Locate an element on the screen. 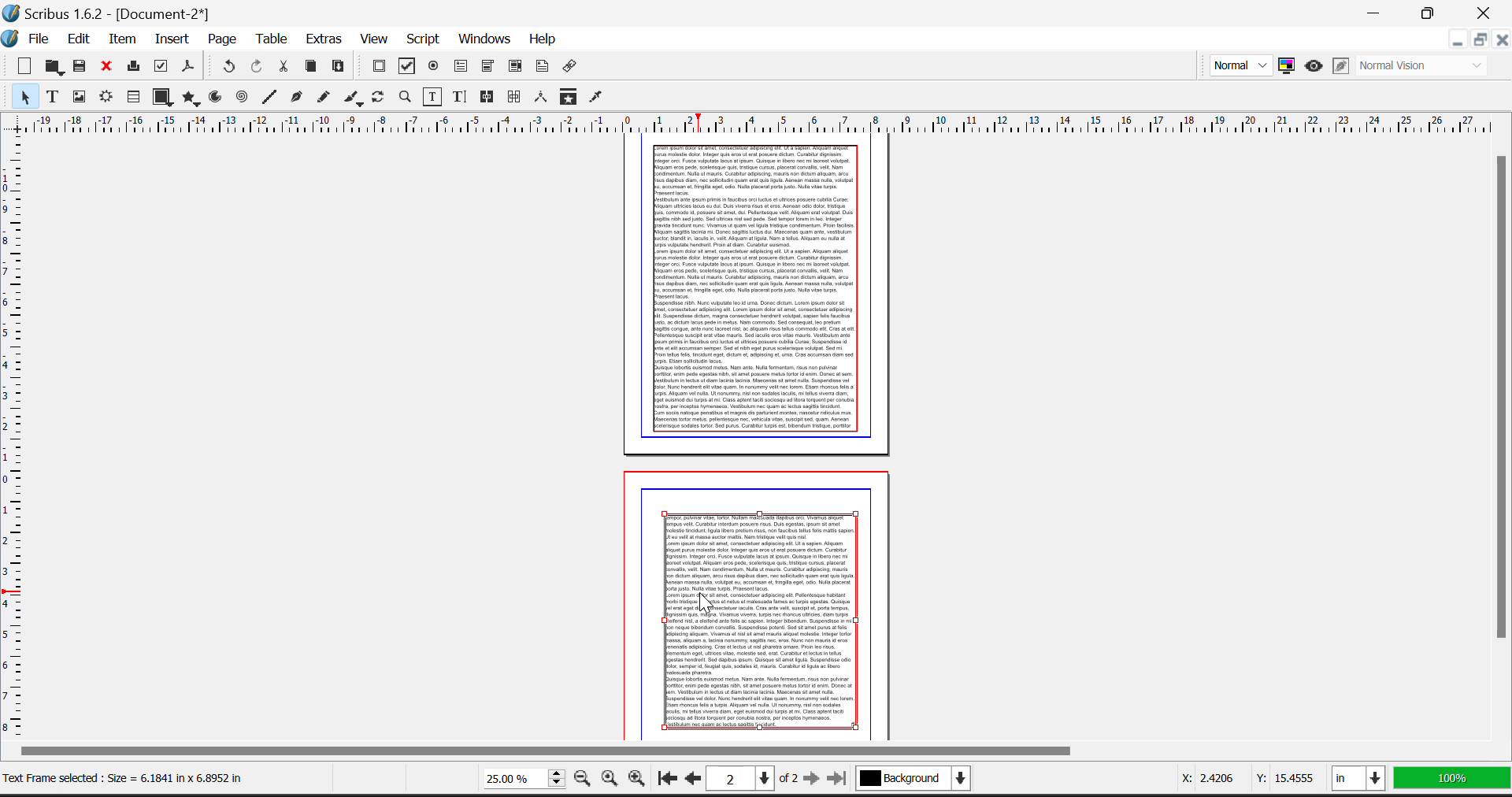 Image resolution: width=1512 pixels, height=797 pixels. Windows is located at coordinates (484, 40).